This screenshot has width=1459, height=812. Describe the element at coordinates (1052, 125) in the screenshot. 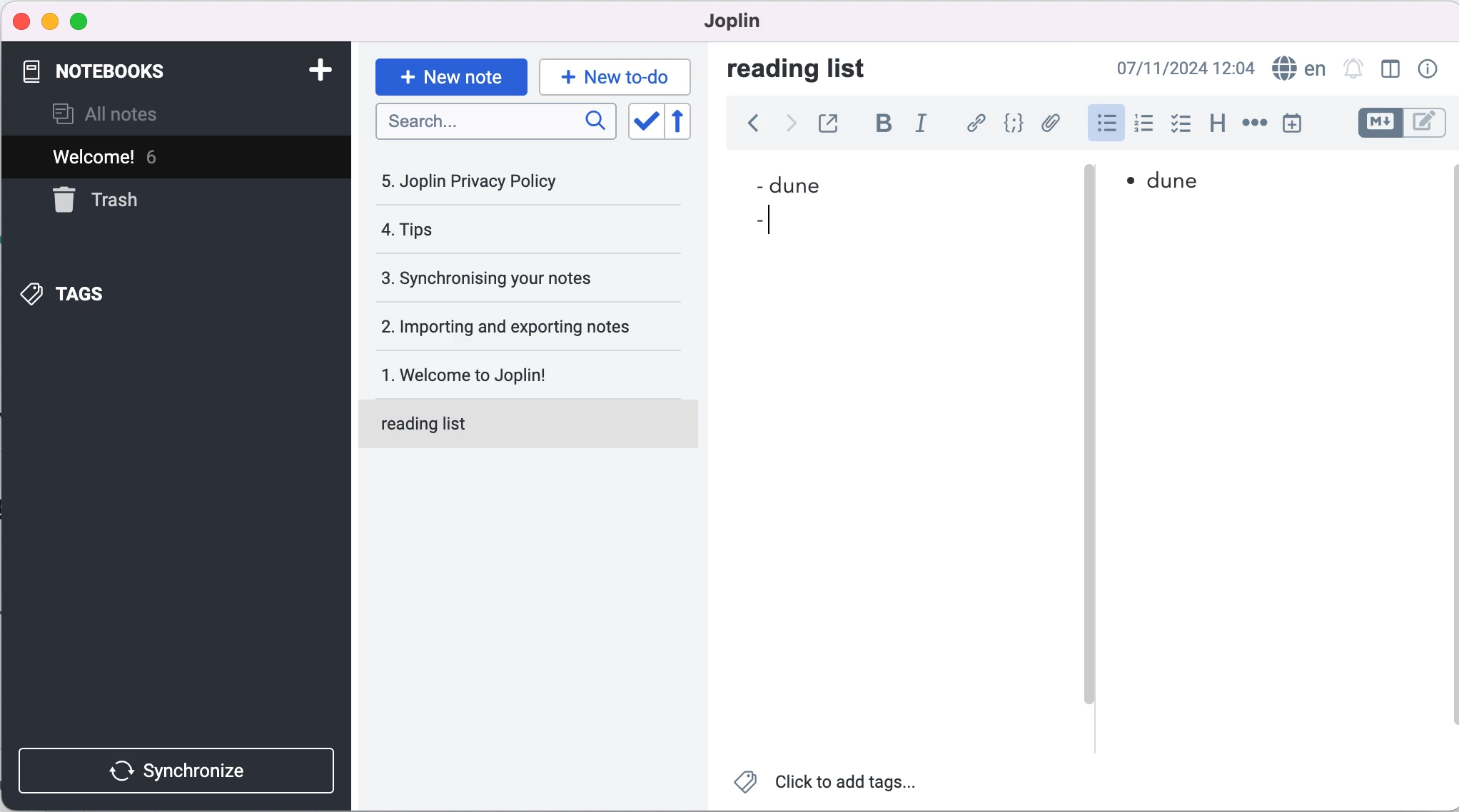

I see `attach file` at that location.